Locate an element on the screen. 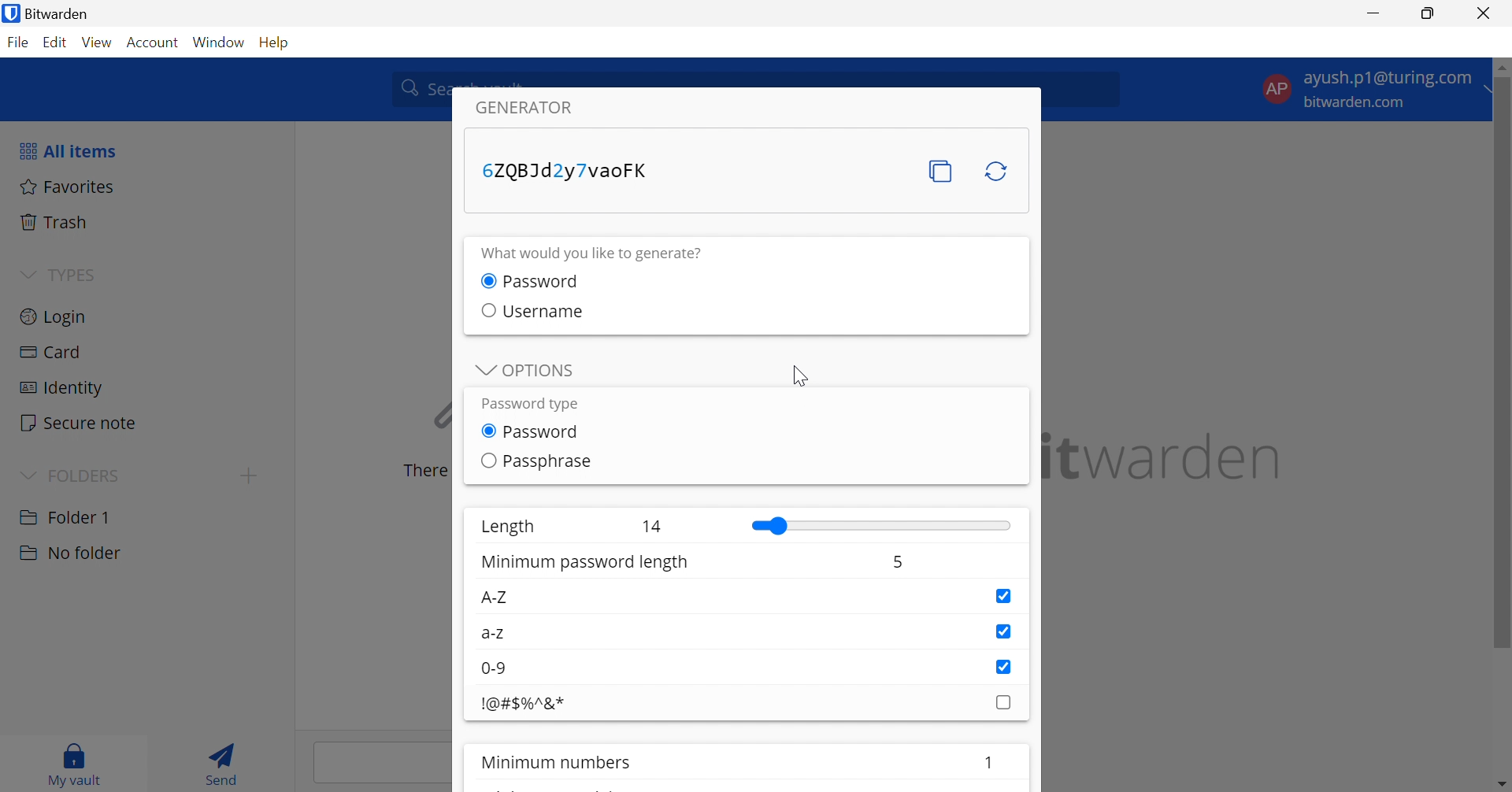  Copy password is located at coordinates (942, 172).